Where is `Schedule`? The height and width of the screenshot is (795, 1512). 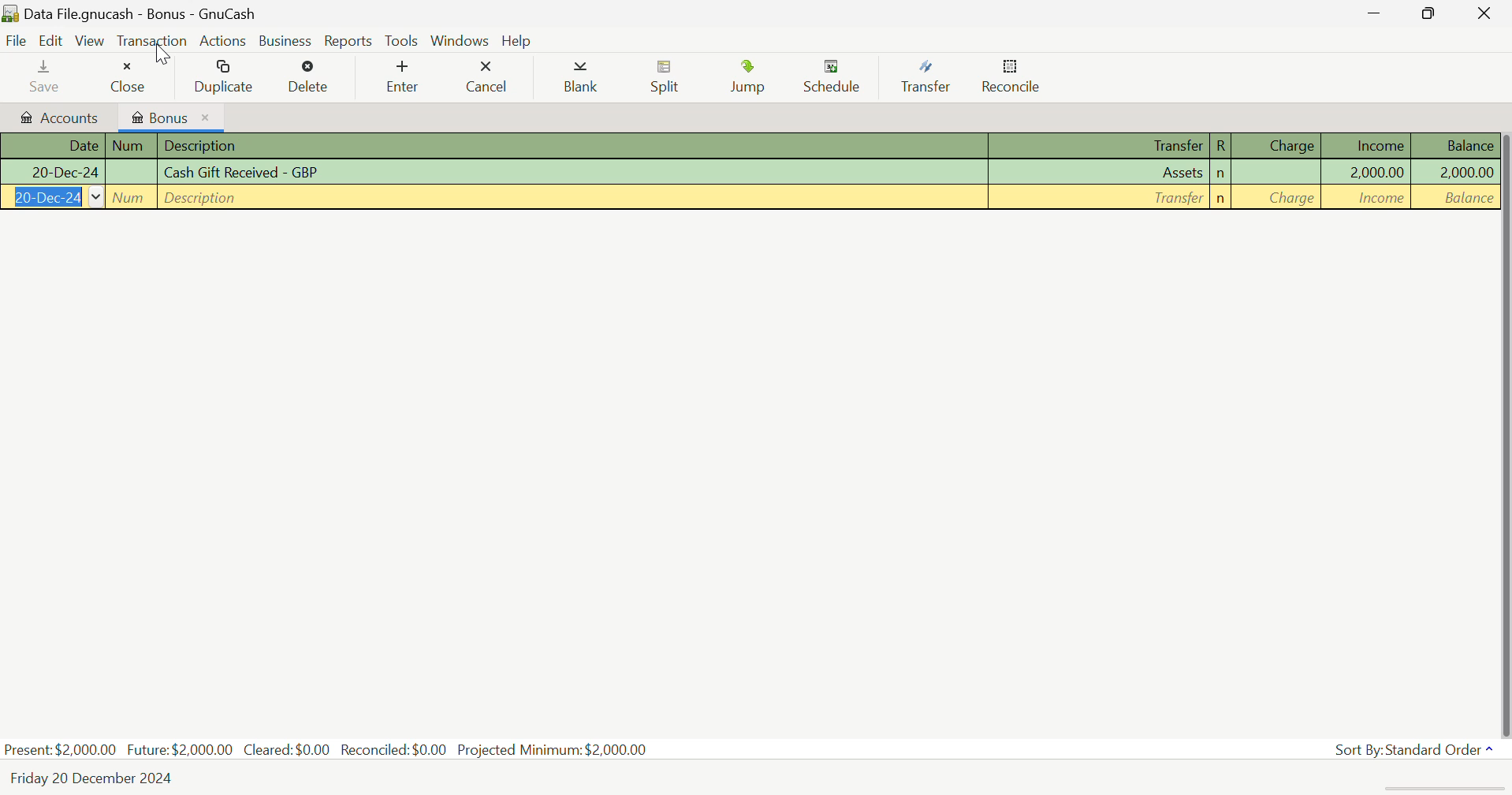
Schedule is located at coordinates (836, 77).